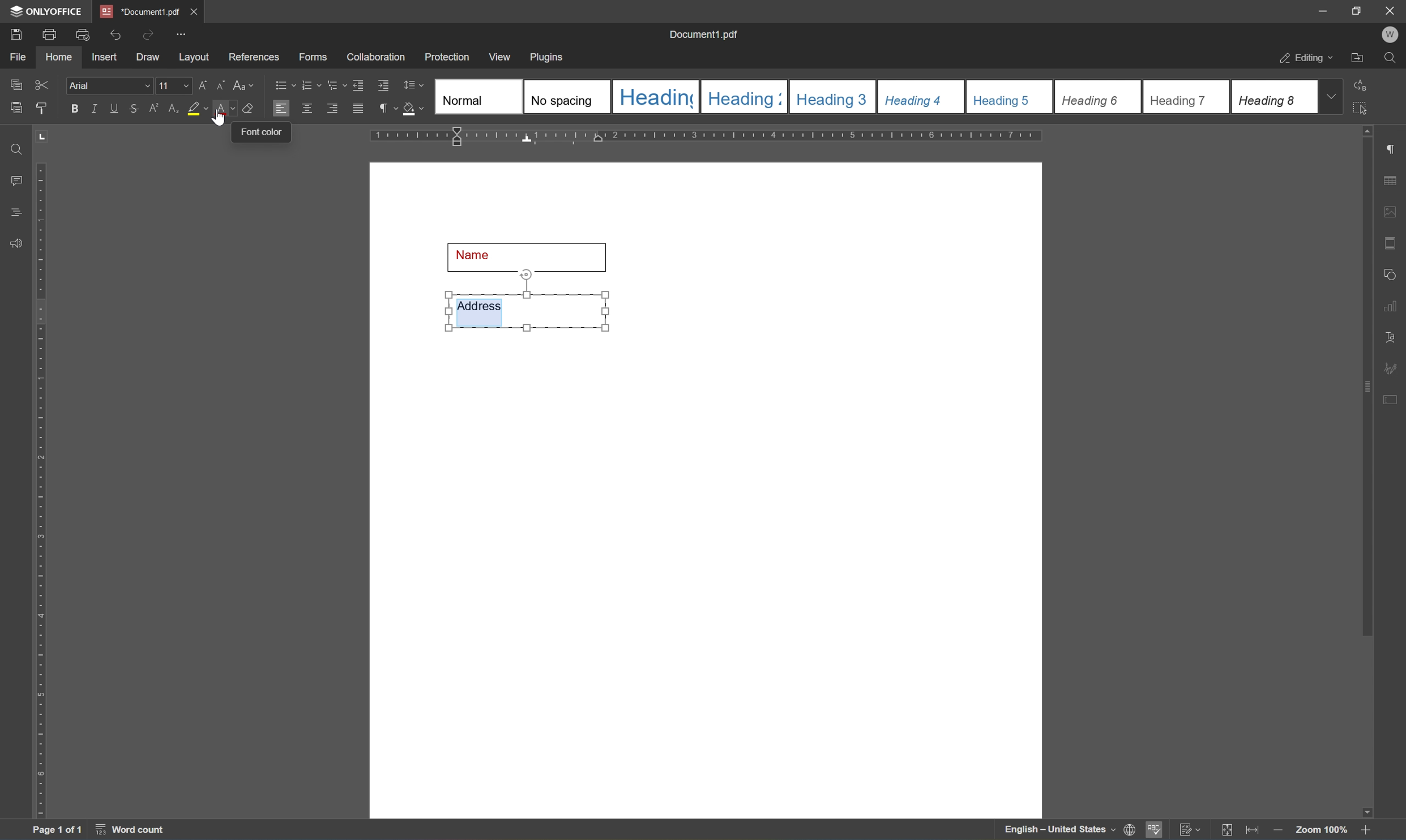 The width and height of the screenshot is (1406, 840). What do you see at coordinates (1367, 112) in the screenshot?
I see `select all` at bounding box center [1367, 112].